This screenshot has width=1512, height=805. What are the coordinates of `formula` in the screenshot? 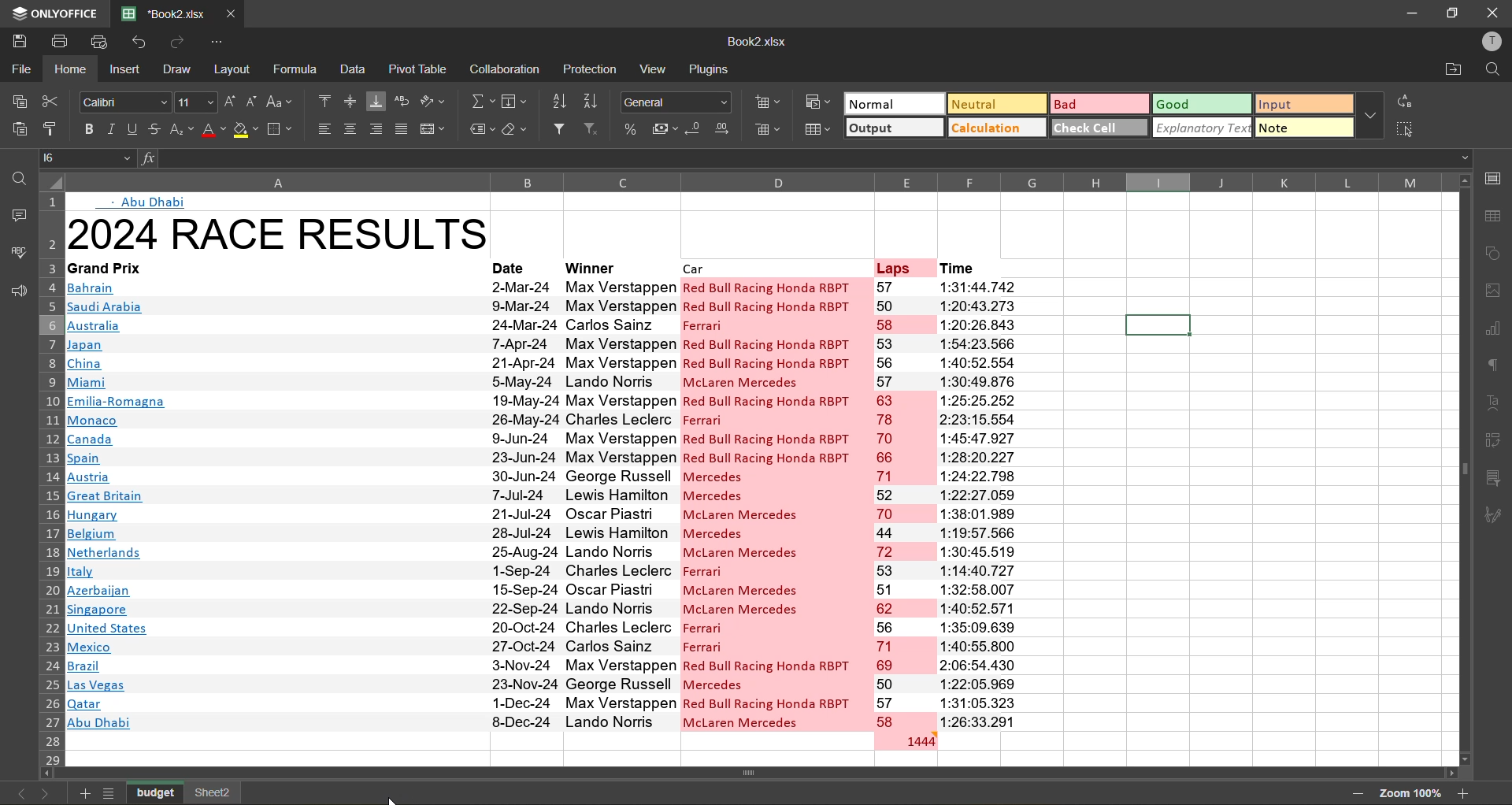 It's located at (295, 69).